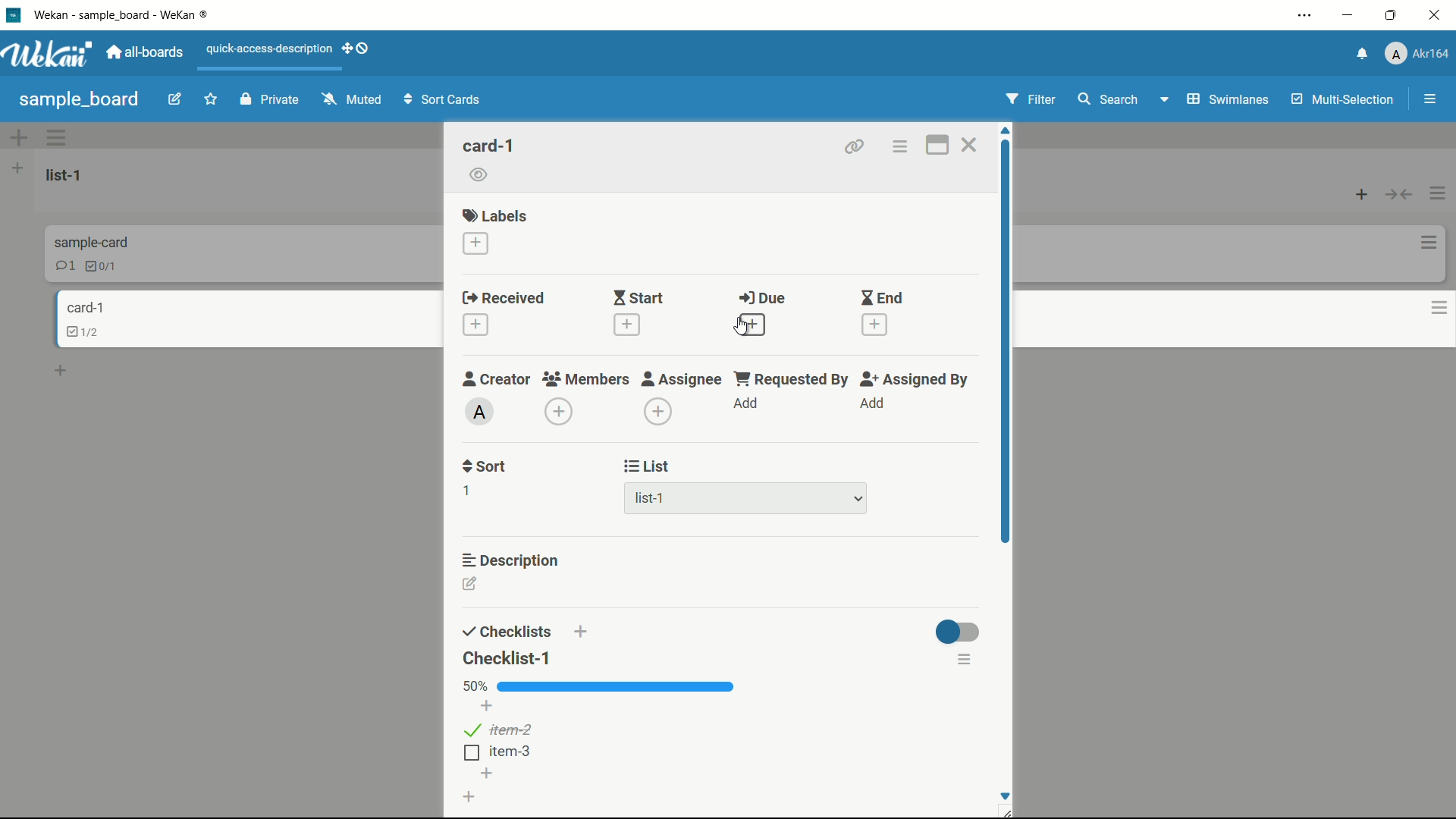  What do you see at coordinates (67, 370) in the screenshot?
I see `add card` at bounding box center [67, 370].